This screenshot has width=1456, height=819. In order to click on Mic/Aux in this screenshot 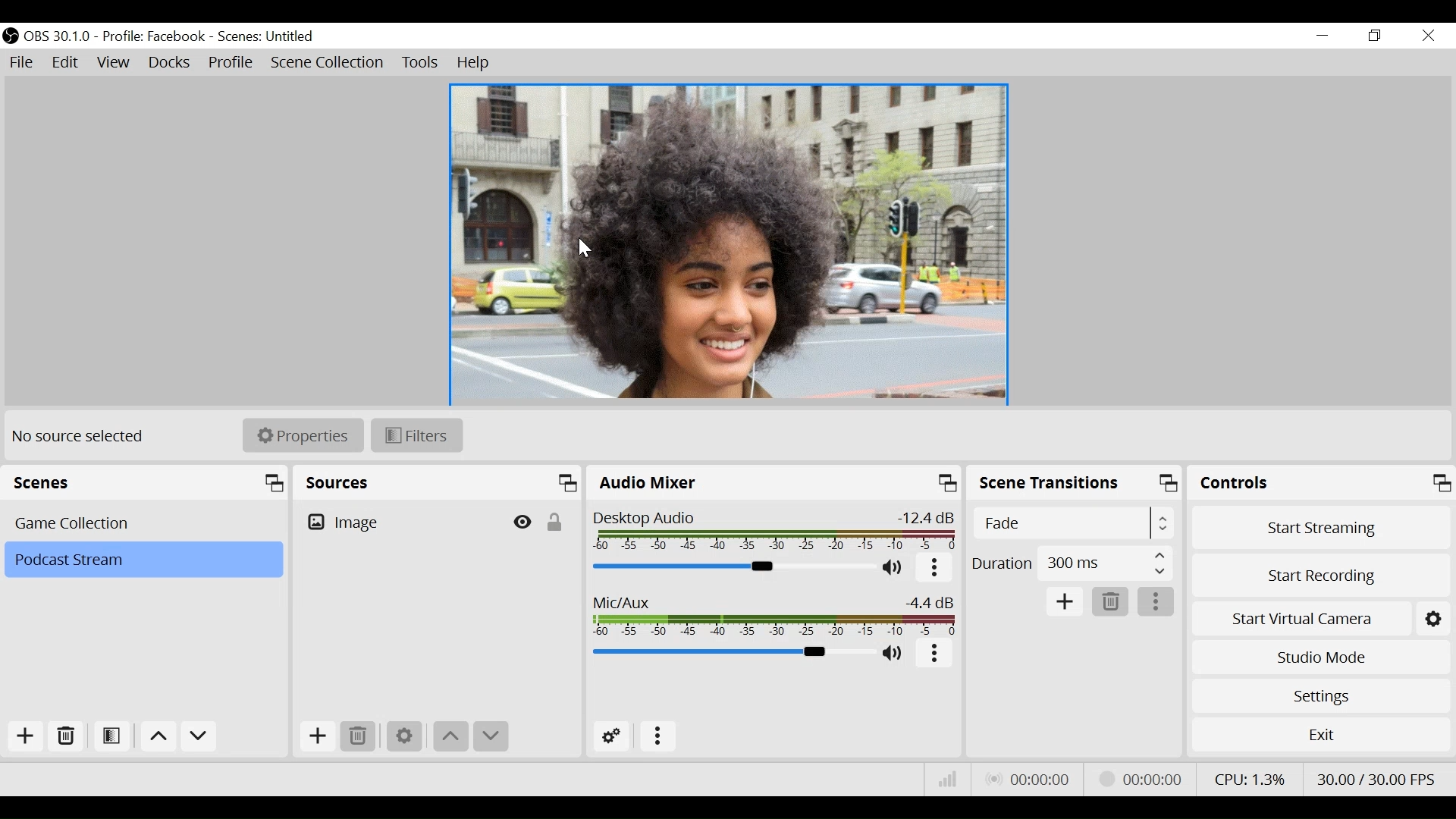, I will do `click(774, 613)`.